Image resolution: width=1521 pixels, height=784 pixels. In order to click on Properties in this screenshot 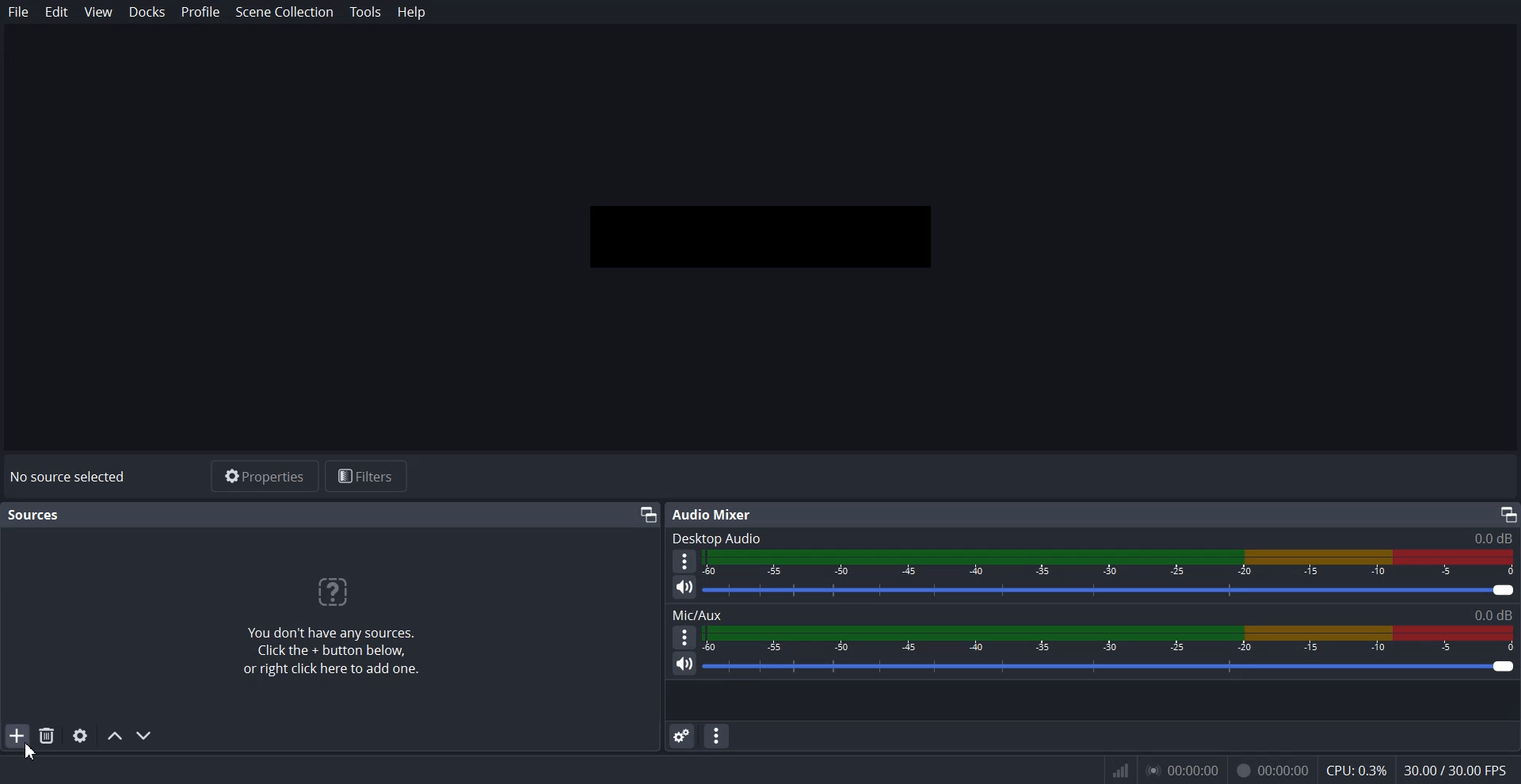, I will do `click(263, 476)`.